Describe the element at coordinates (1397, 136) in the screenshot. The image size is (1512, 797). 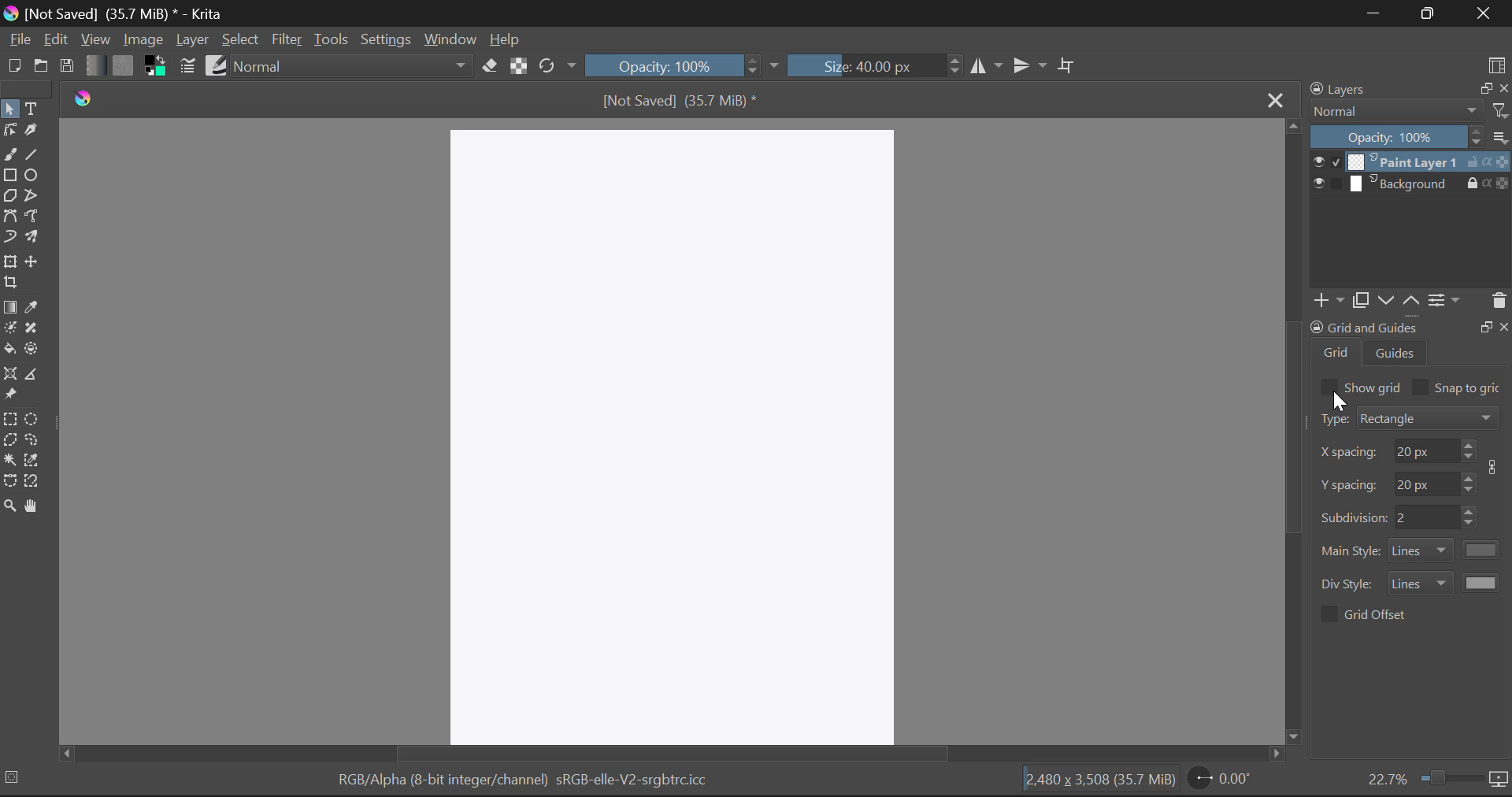
I see `opacity` at that location.